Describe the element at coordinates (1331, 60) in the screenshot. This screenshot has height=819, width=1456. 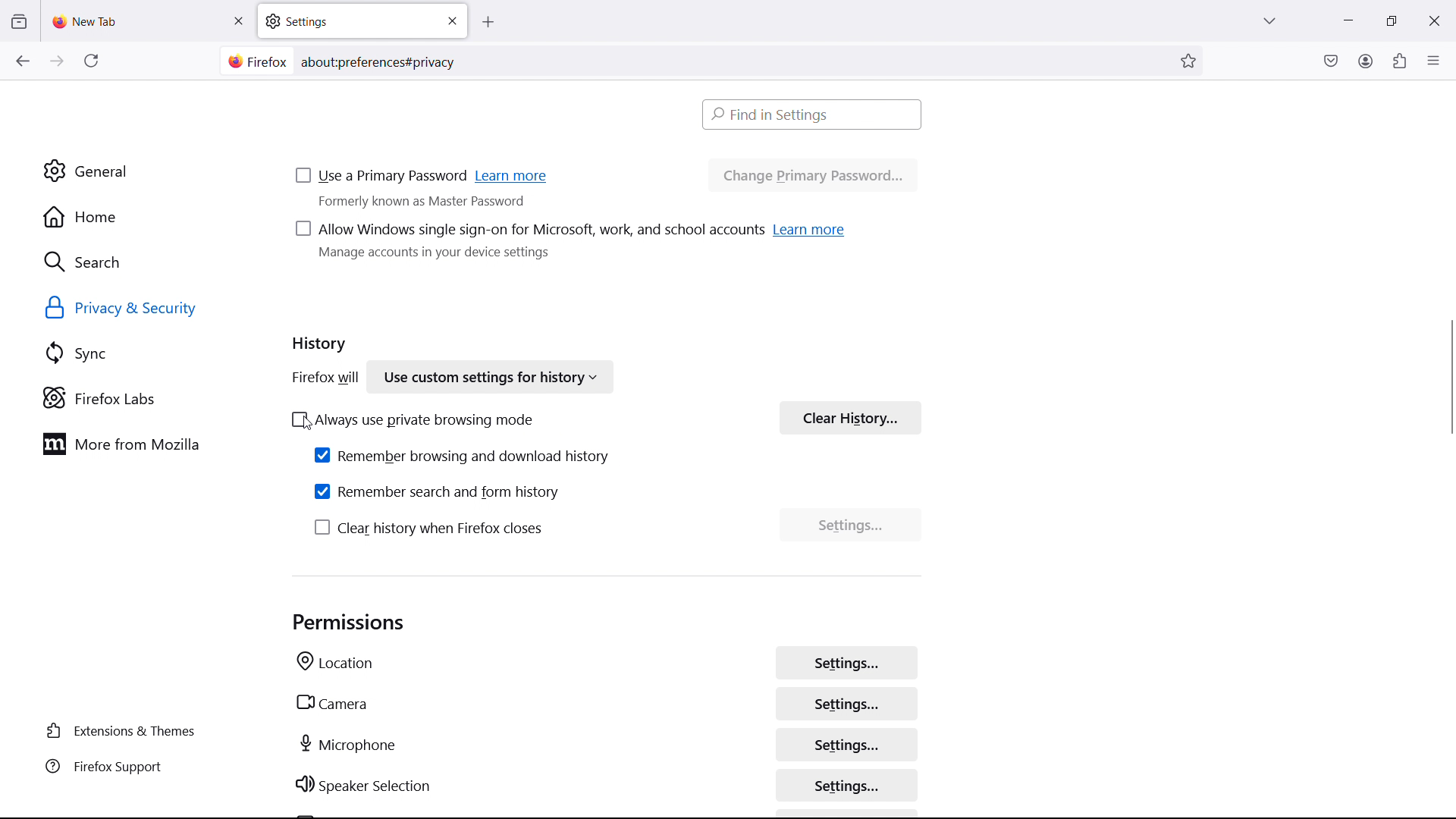
I see `save to pocket` at that location.